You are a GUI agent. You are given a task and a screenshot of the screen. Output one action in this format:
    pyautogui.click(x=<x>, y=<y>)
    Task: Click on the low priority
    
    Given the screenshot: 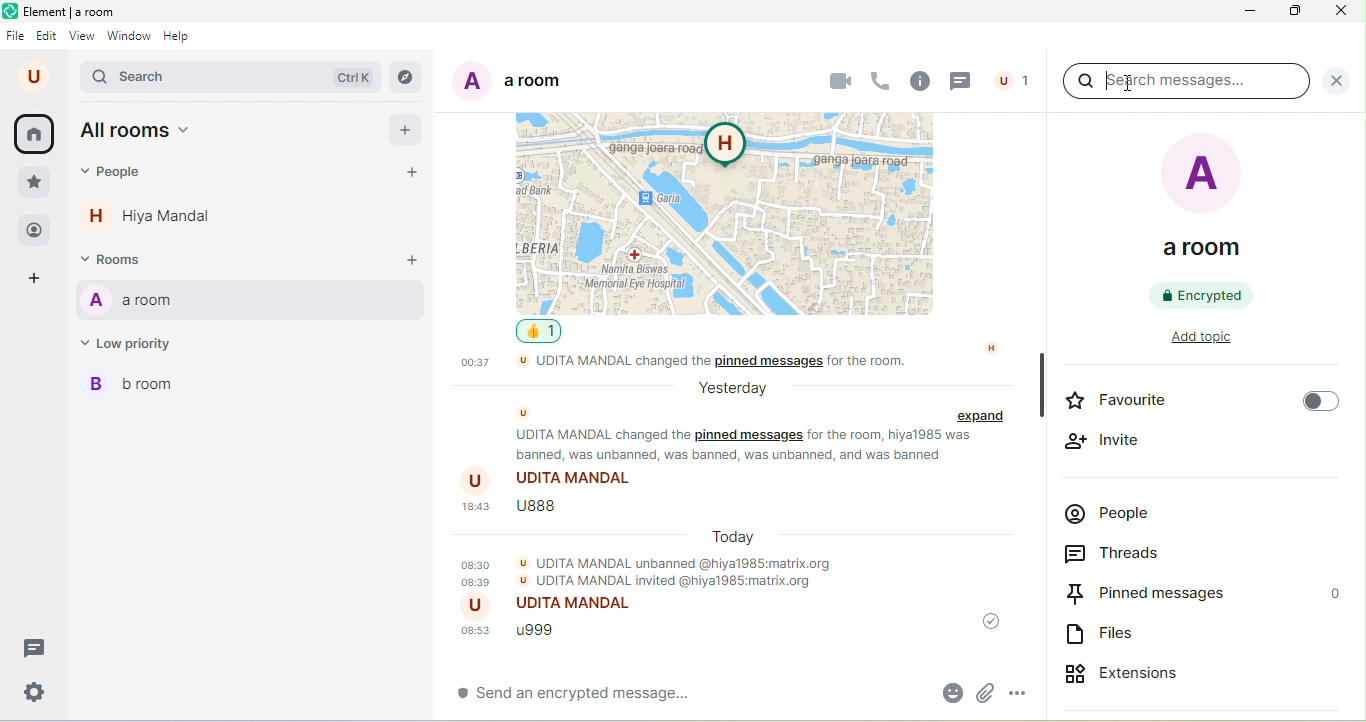 What is the action you would take?
    pyautogui.click(x=136, y=347)
    